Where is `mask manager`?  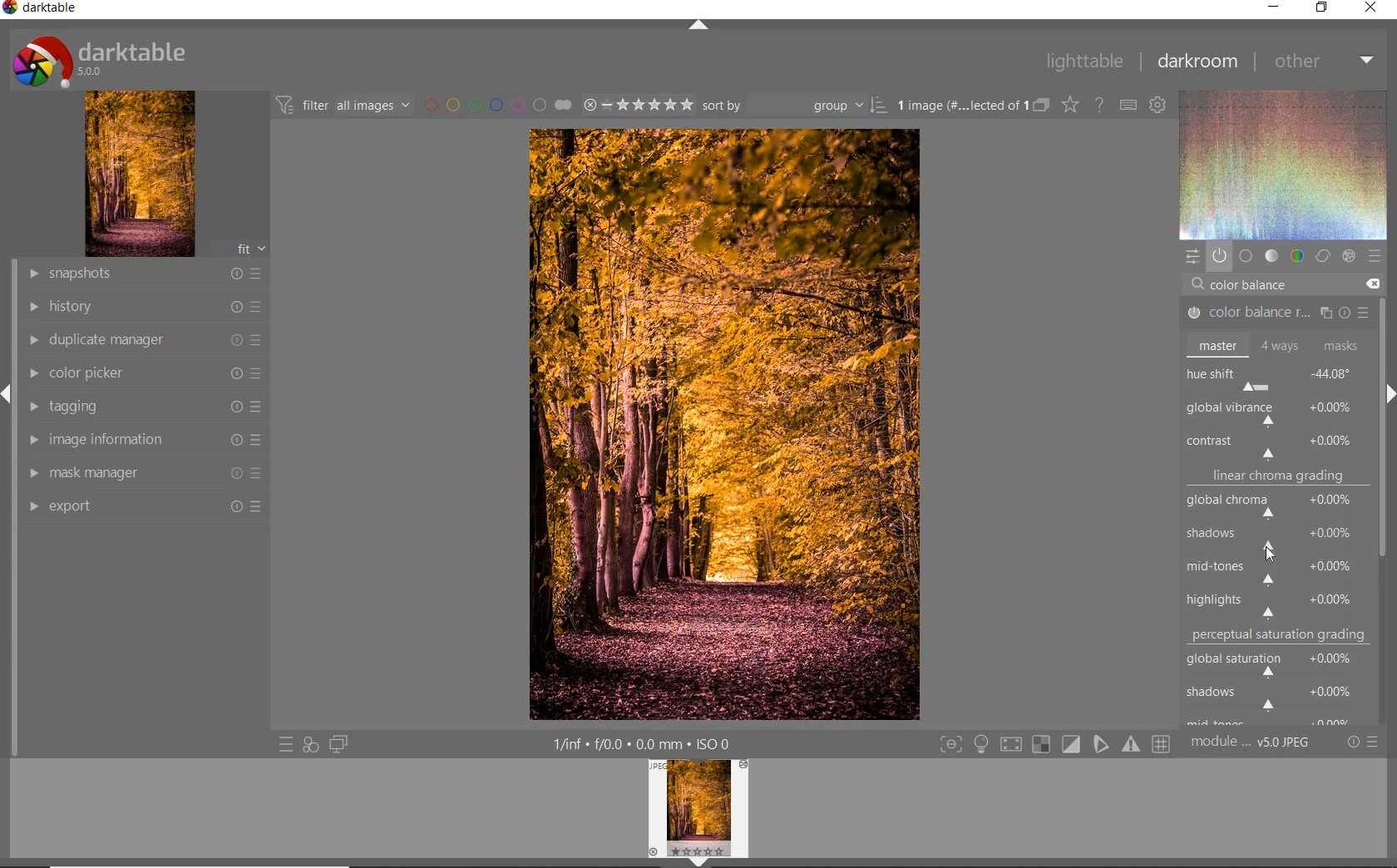
mask manager is located at coordinates (146, 473).